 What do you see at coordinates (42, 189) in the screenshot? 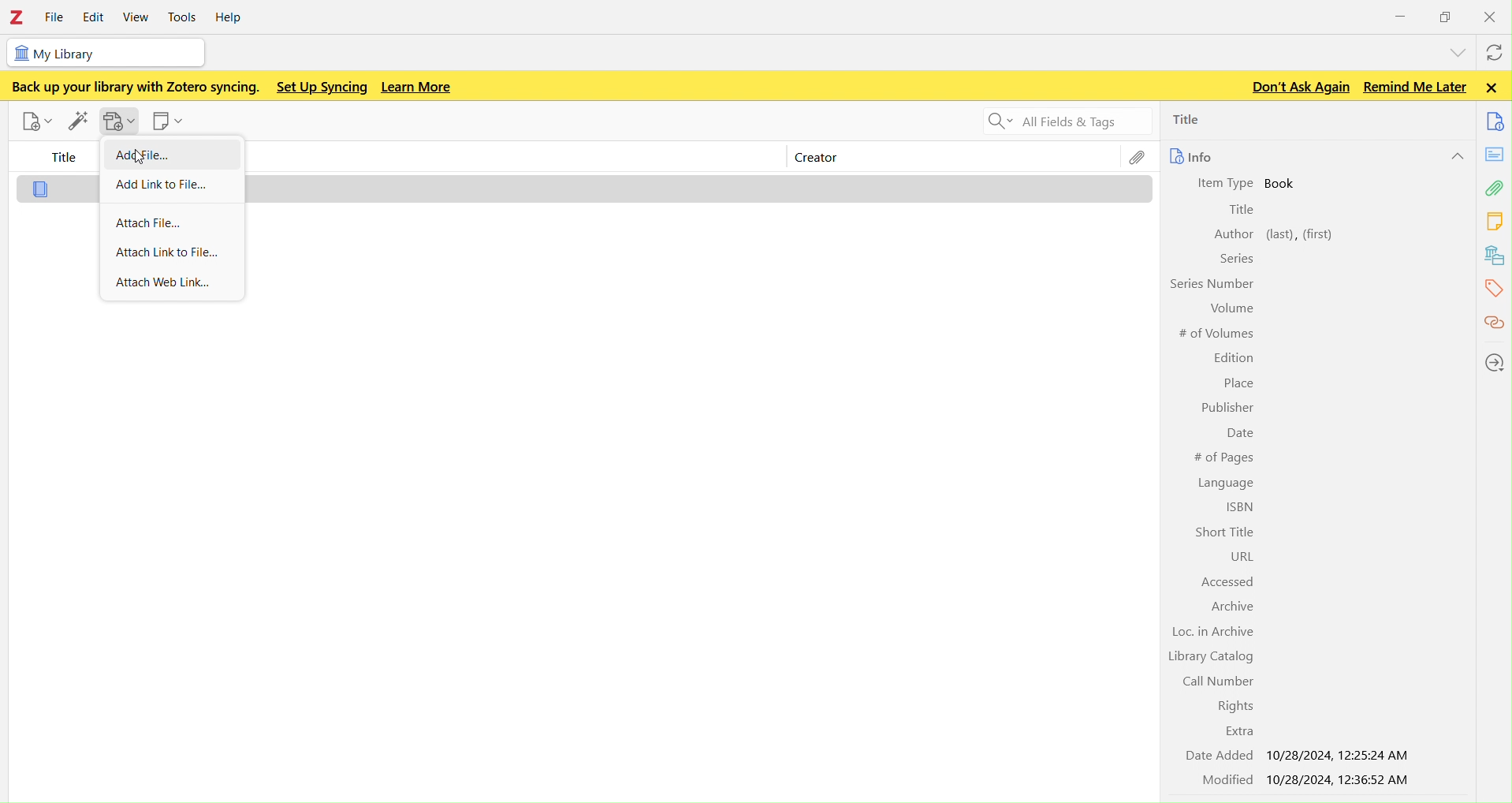
I see `file` at bounding box center [42, 189].